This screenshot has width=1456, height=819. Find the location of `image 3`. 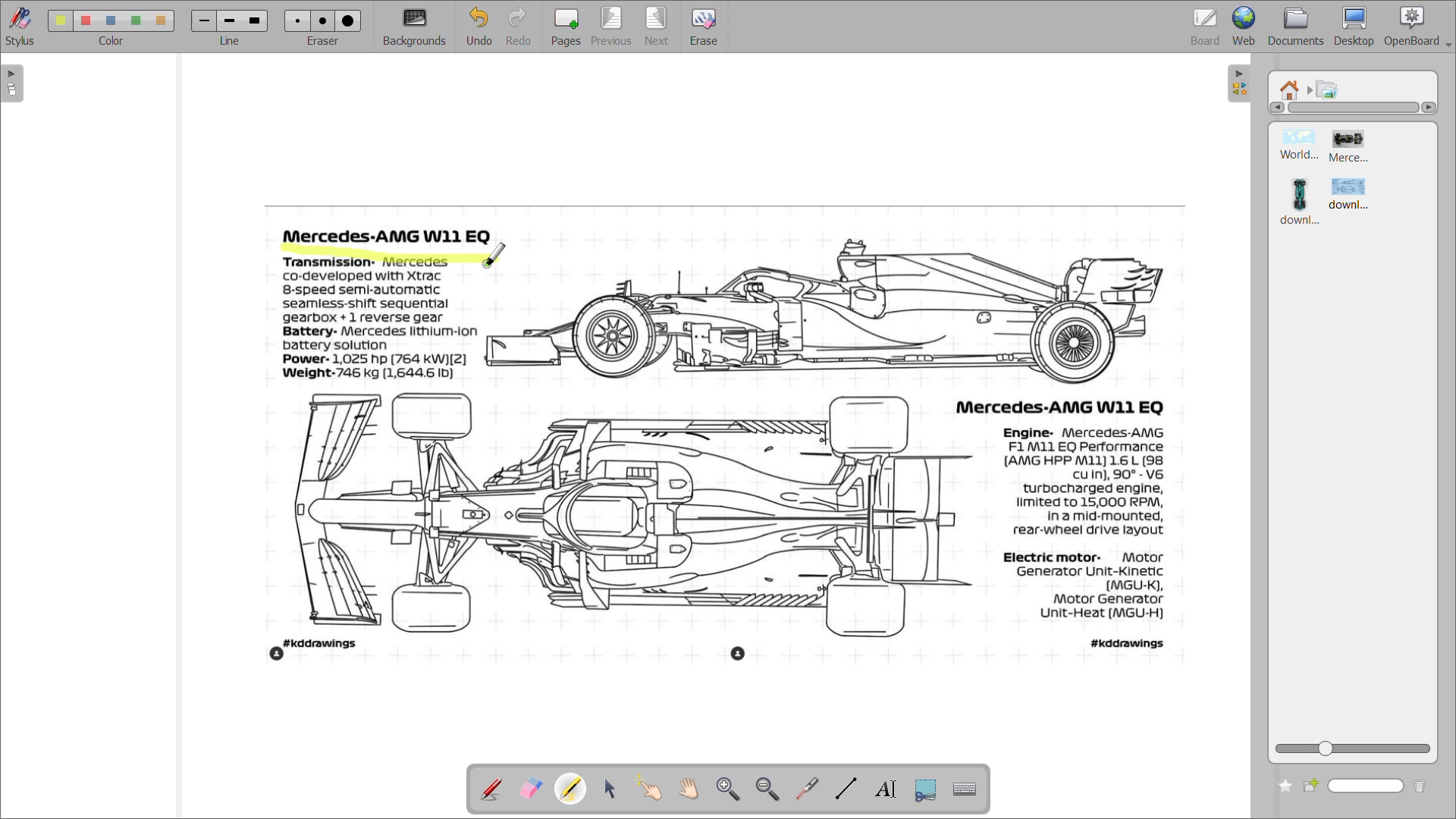

image 3 is located at coordinates (1298, 200).